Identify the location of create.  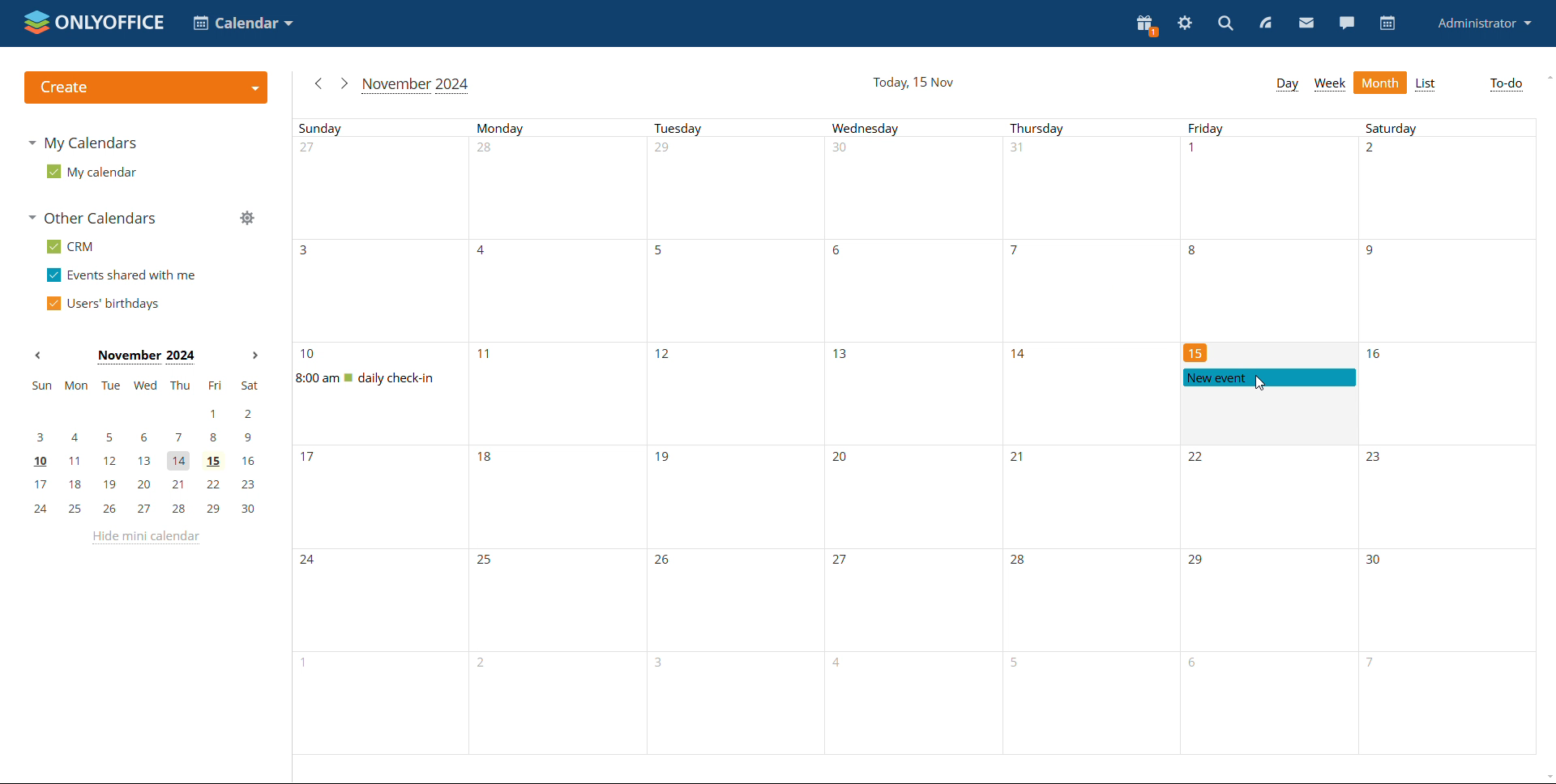
(145, 87).